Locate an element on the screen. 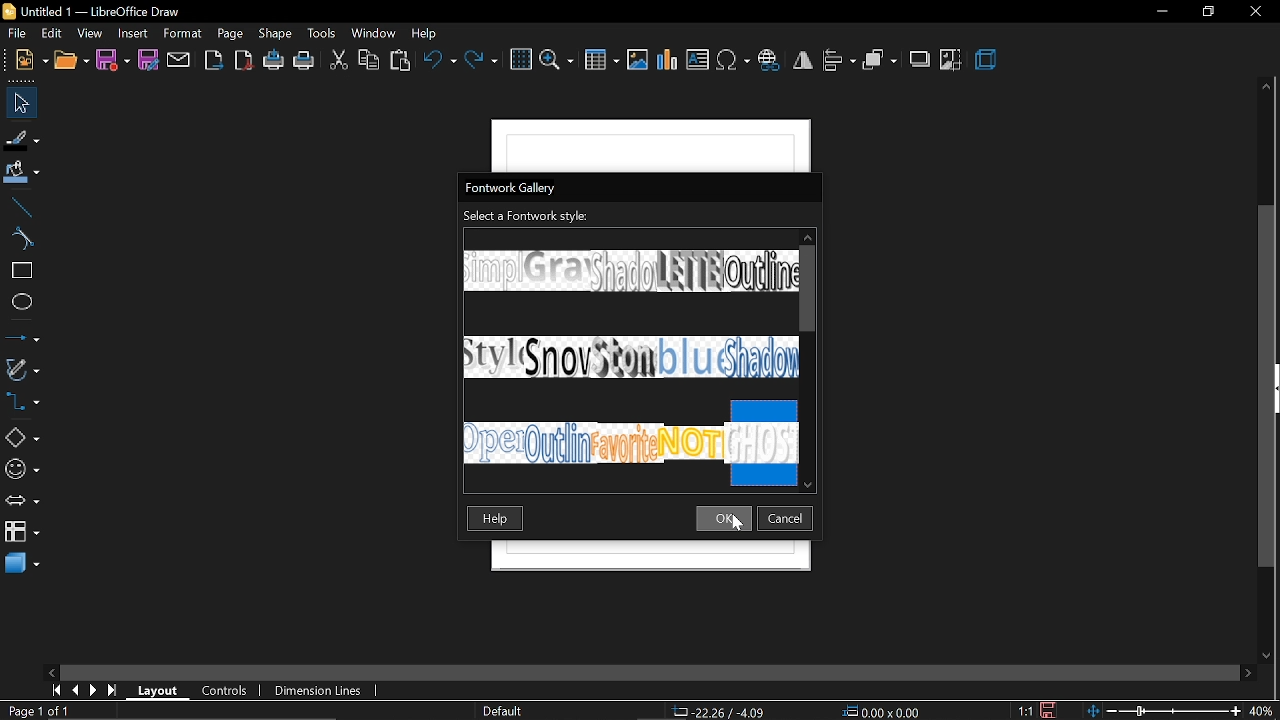 This screenshot has height=720, width=1280. export is located at coordinates (214, 62).